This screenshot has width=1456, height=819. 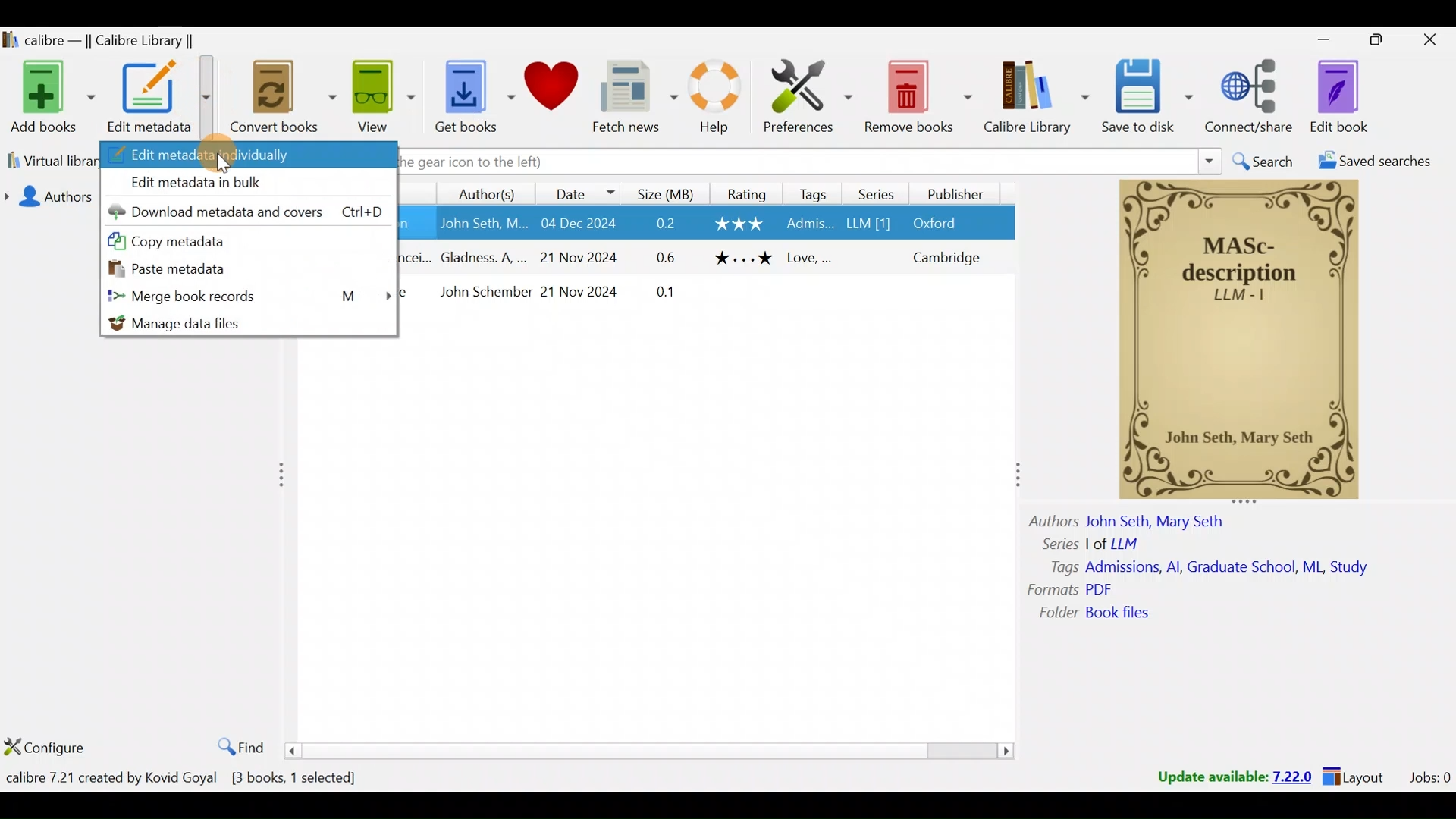 What do you see at coordinates (244, 270) in the screenshot?
I see `Paste metadata` at bounding box center [244, 270].